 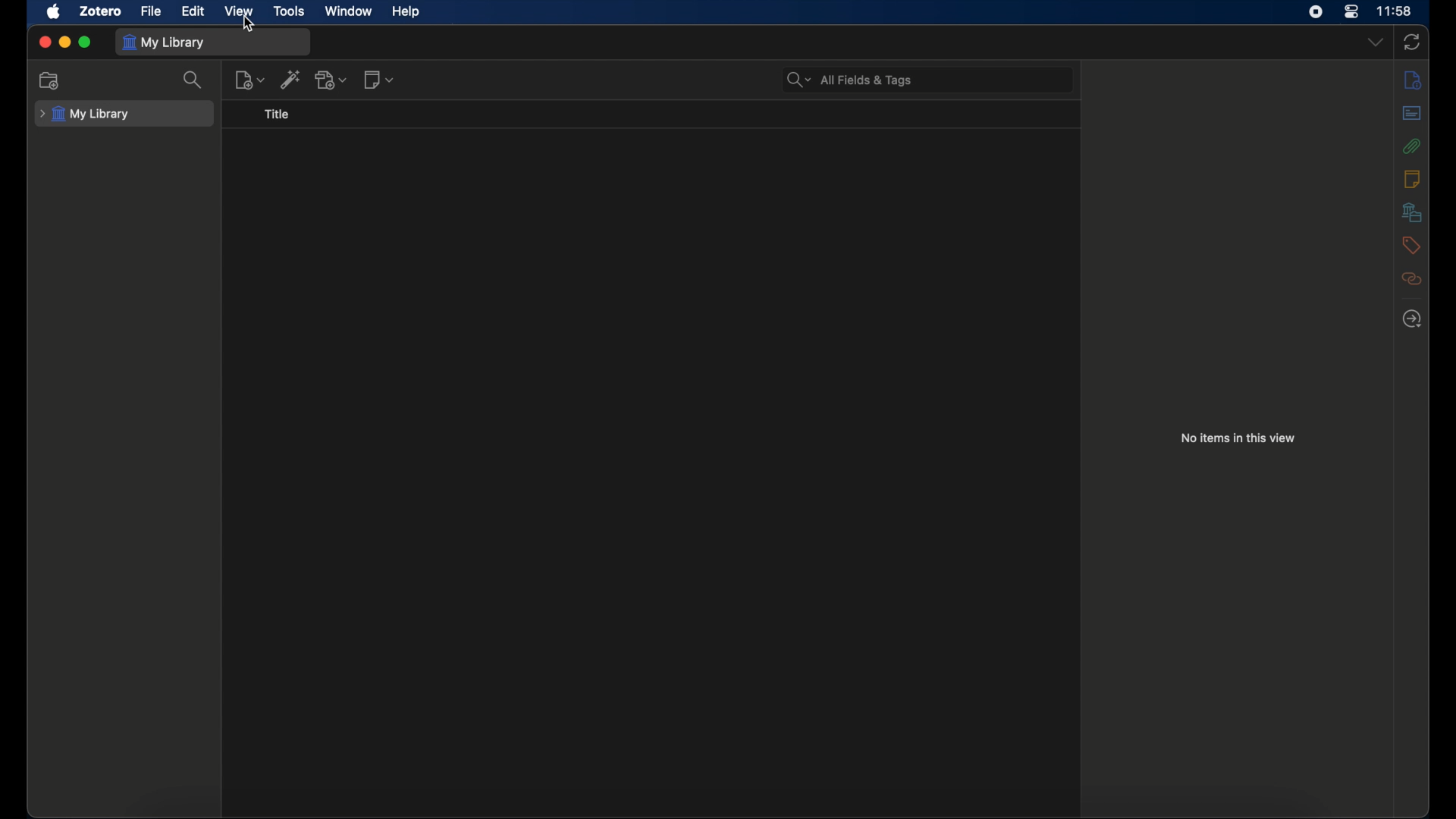 What do you see at coordinates (851, 80) in the screenshot?
I see `all fields & tags` at bounding box center [851, 80].